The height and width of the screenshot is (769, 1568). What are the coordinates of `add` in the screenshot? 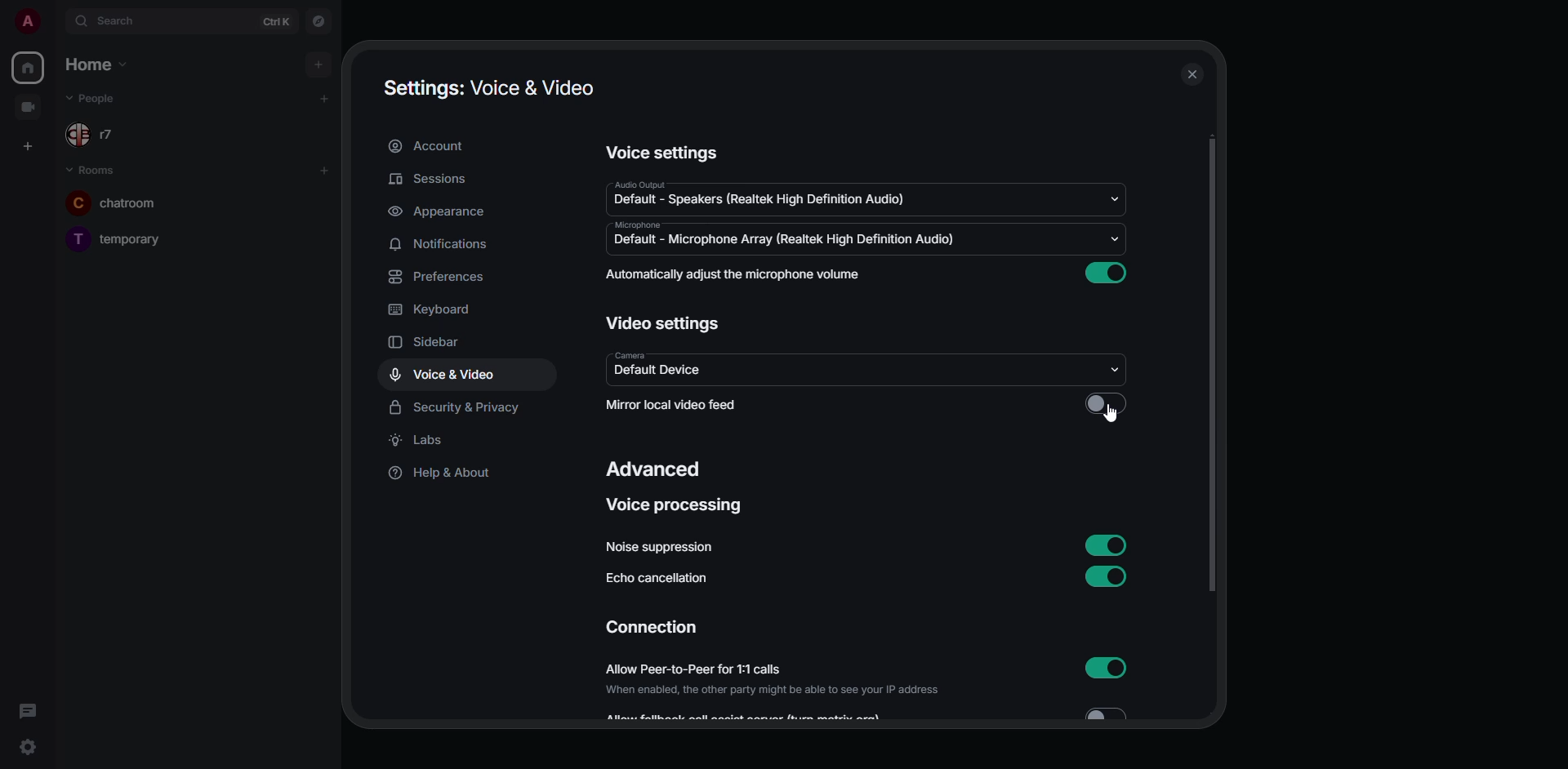 It's located at (326, 169).